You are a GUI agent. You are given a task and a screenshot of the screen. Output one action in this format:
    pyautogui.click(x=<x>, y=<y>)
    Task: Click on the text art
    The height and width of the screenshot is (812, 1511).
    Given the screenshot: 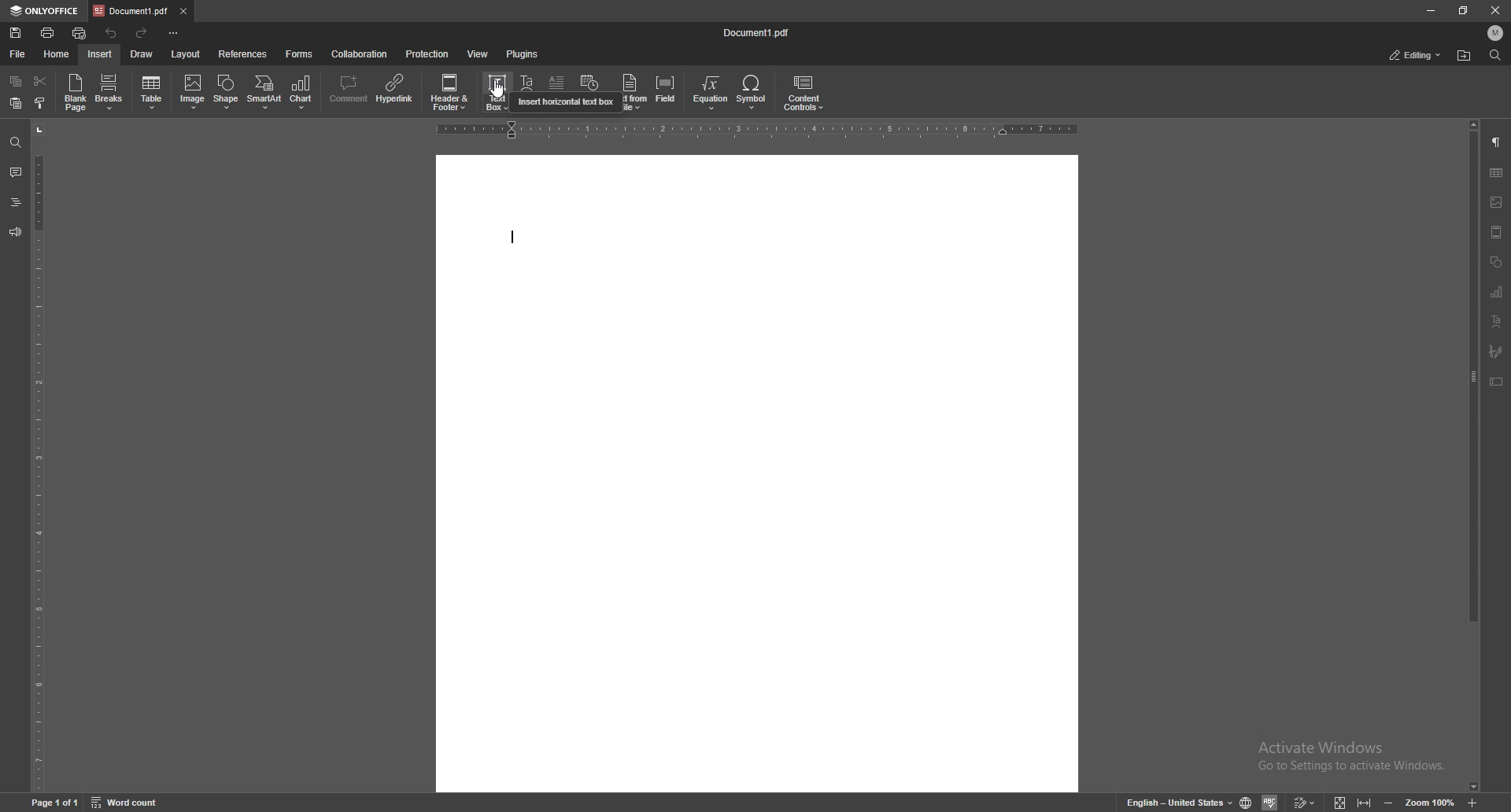 What is the action you would take?
    pyautogui.click(x=528, y=94)
    